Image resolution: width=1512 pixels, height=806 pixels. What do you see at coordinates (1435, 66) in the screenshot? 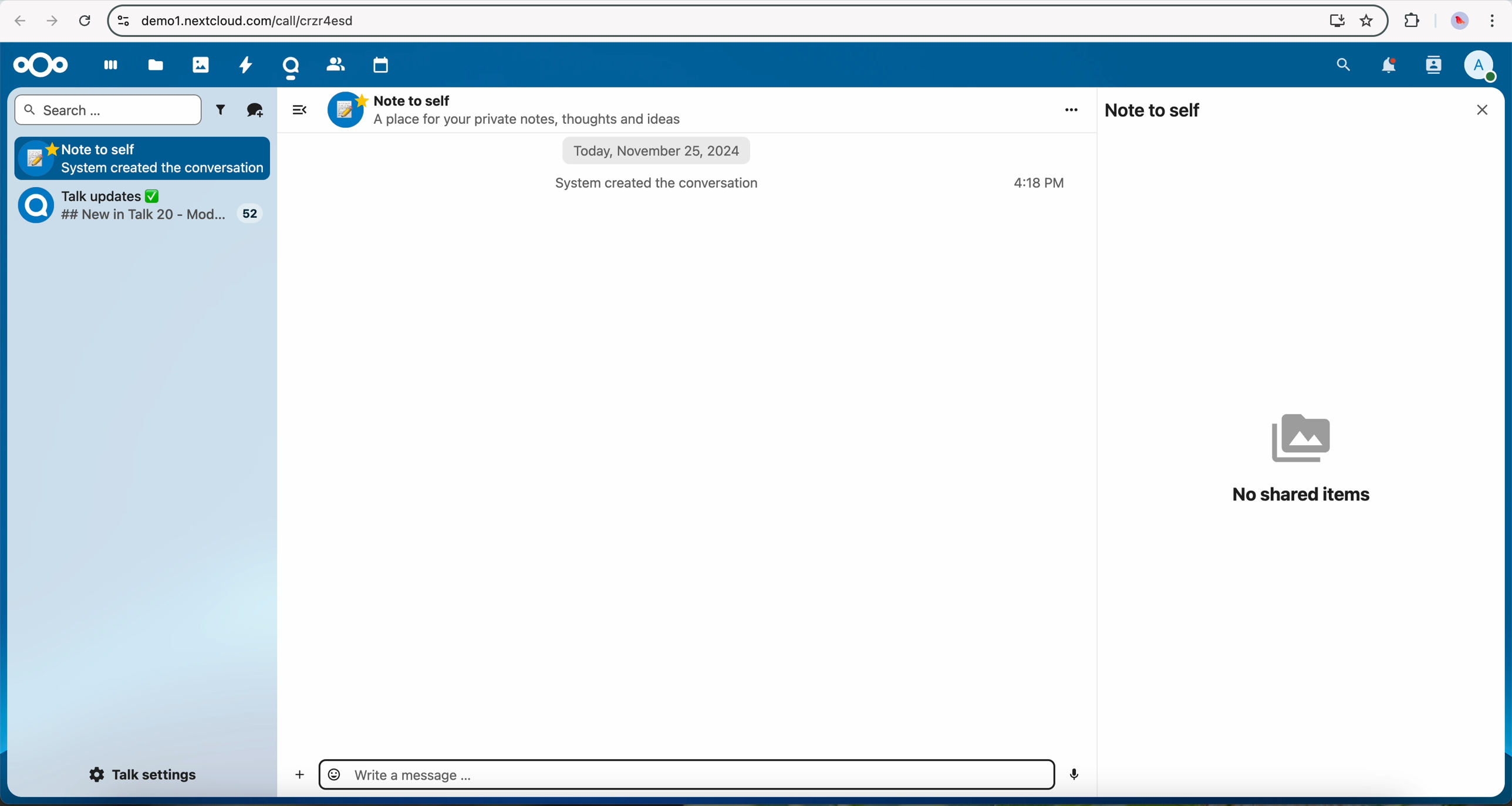
I see `contacts` at bounding box center [1435, 66].